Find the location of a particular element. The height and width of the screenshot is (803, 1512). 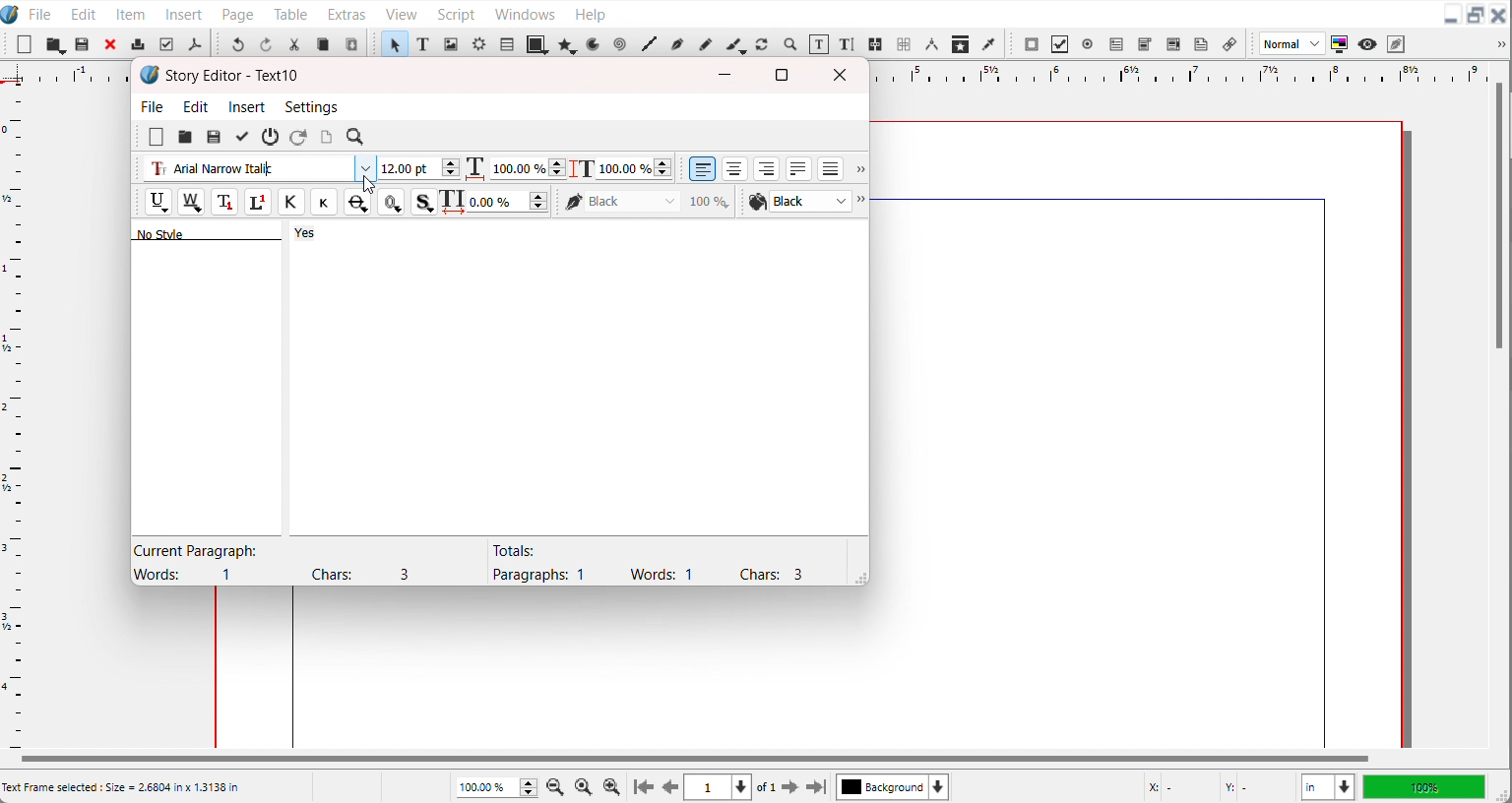

Software logo is located at coordinates (150, 75).